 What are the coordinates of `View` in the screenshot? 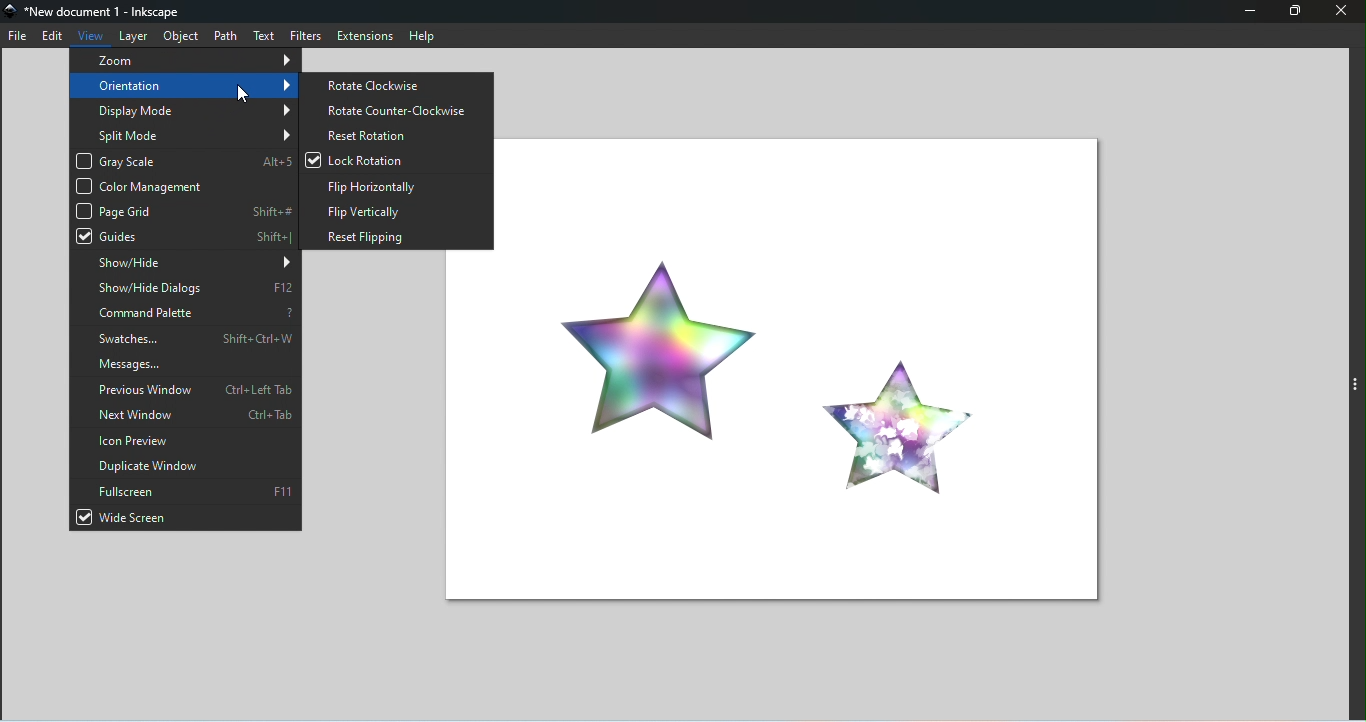 It's located at (90, 35).